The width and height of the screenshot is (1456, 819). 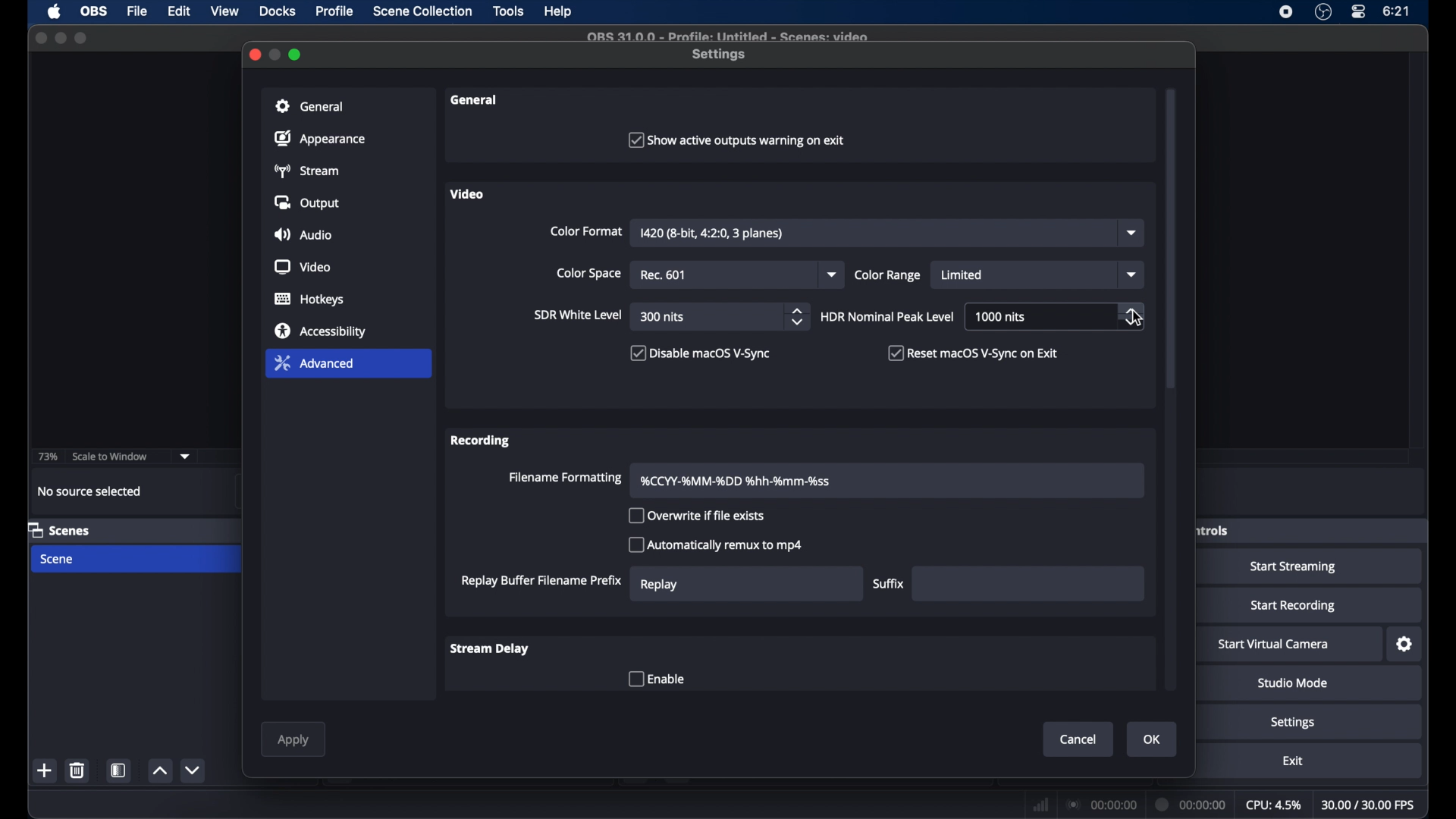 What do you see at coordinates (1101, 804) in the screenshot?
I see `connection` at bounding box center [1101, 804].